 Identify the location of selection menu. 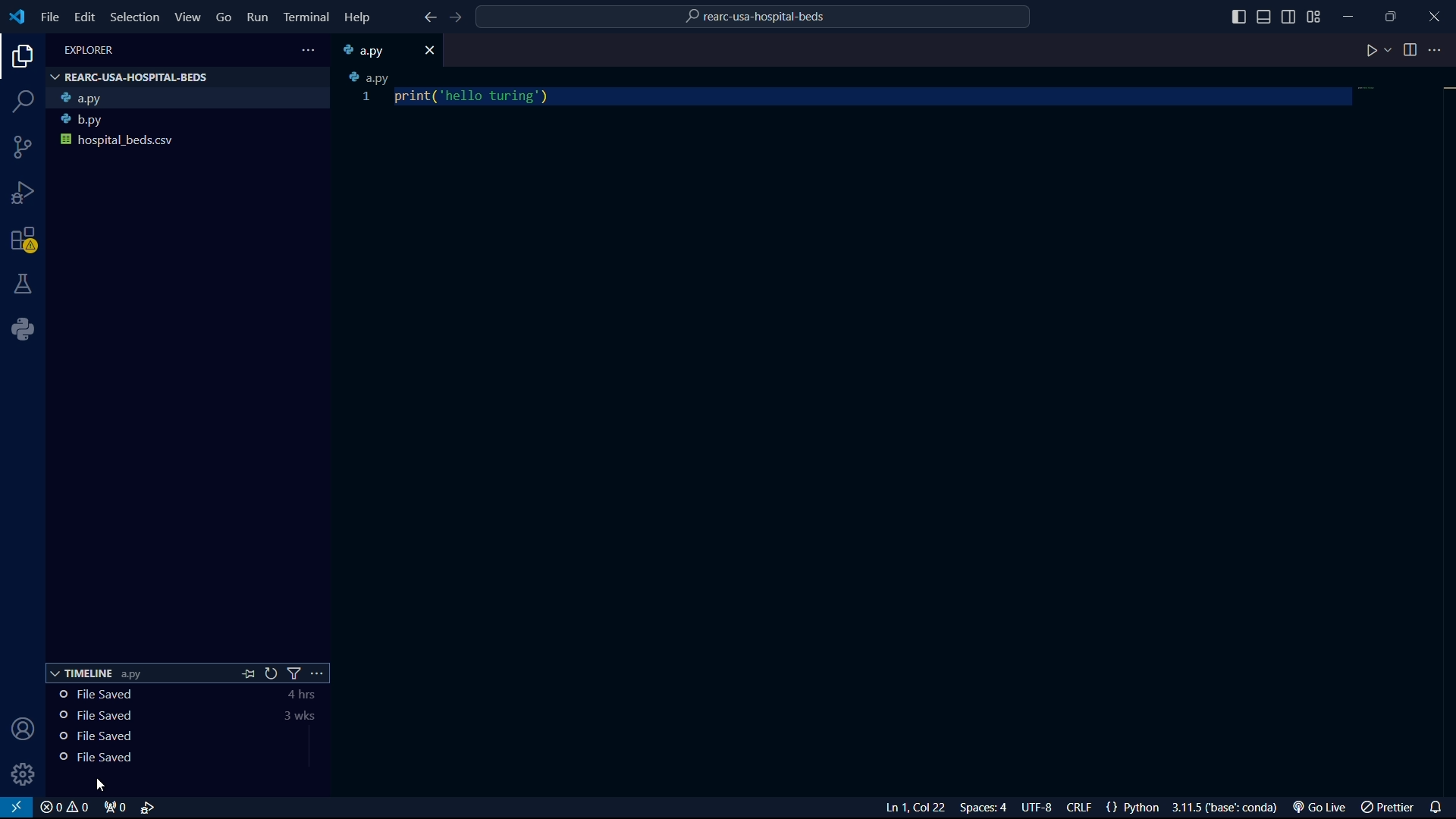
(134, 17).